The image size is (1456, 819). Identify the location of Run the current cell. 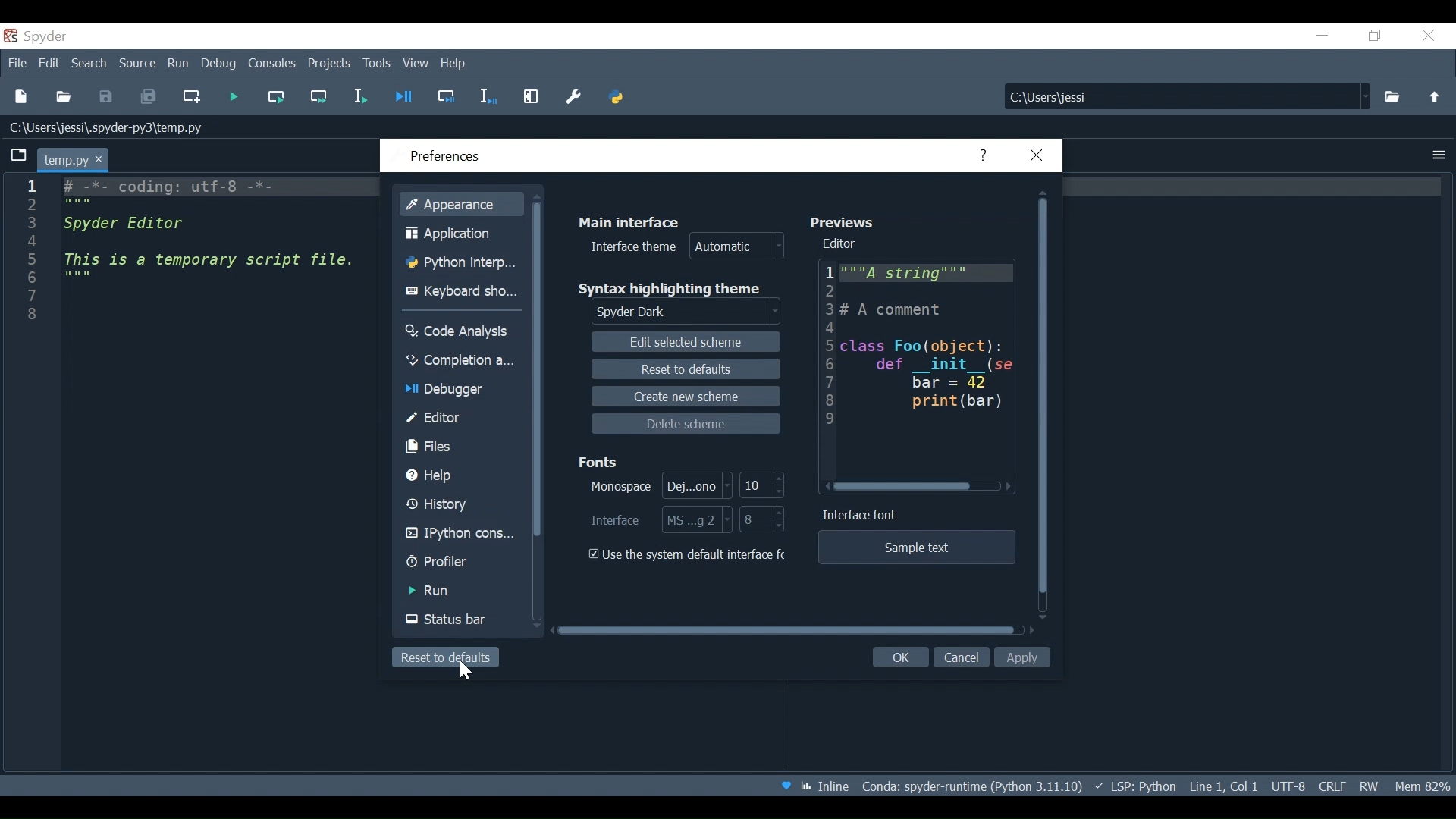
(275, 98).